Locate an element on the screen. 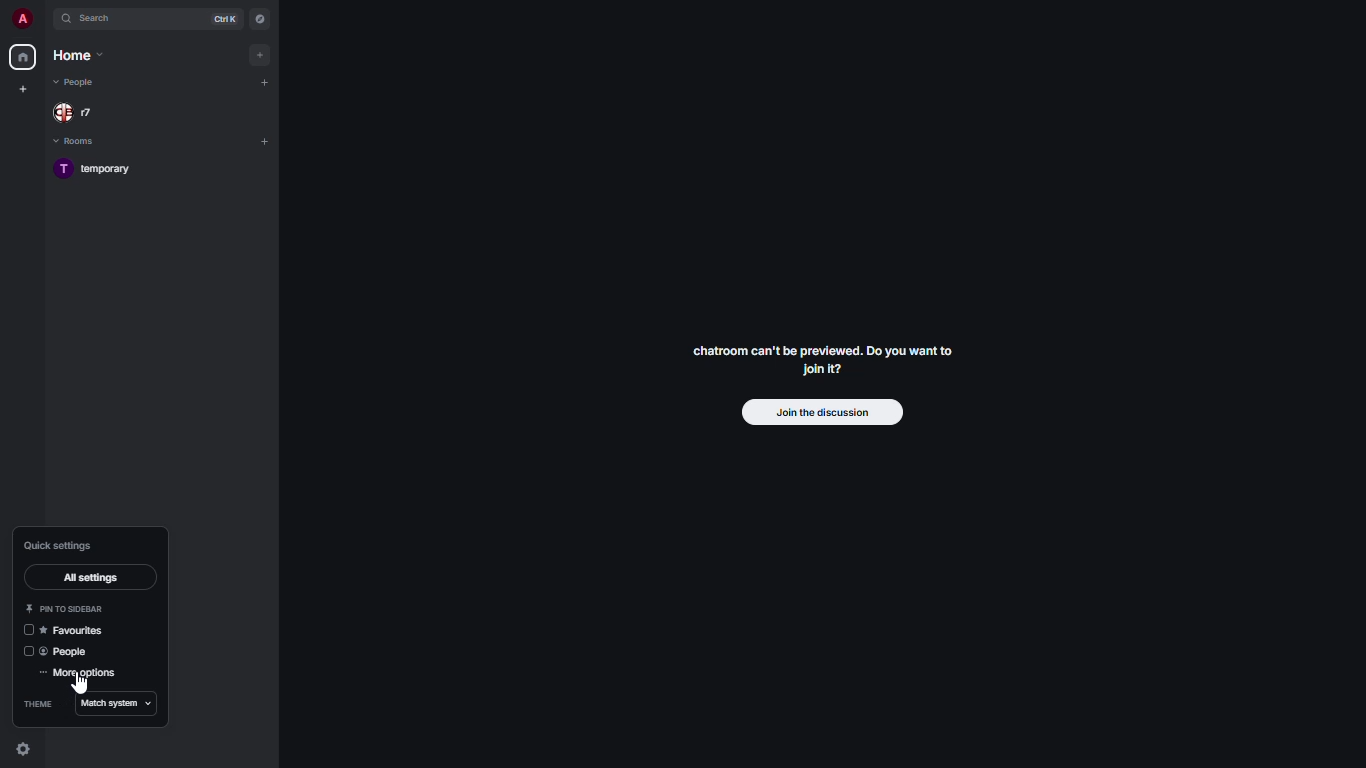 This screenshot has width=1366, height=768. ctrl K is located at coordinates (224, 19).